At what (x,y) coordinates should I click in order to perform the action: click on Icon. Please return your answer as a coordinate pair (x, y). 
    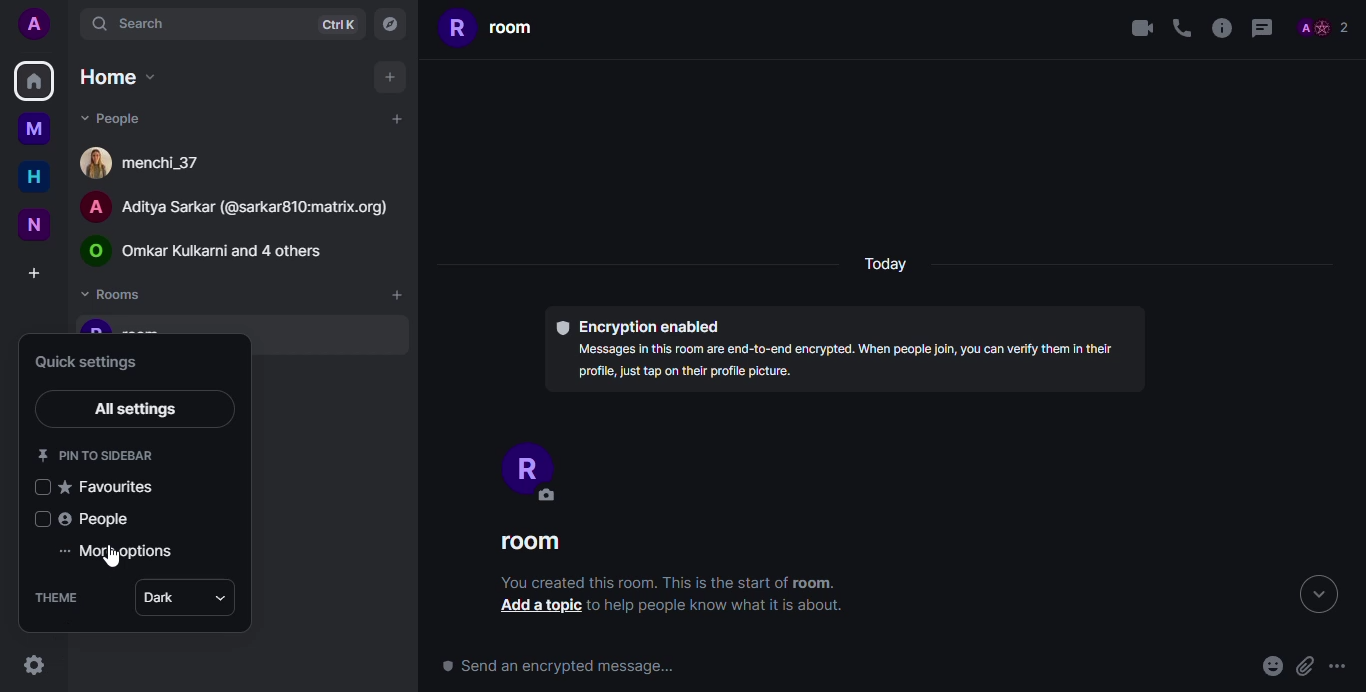
    Looking at the image, I should click on (40, 487).